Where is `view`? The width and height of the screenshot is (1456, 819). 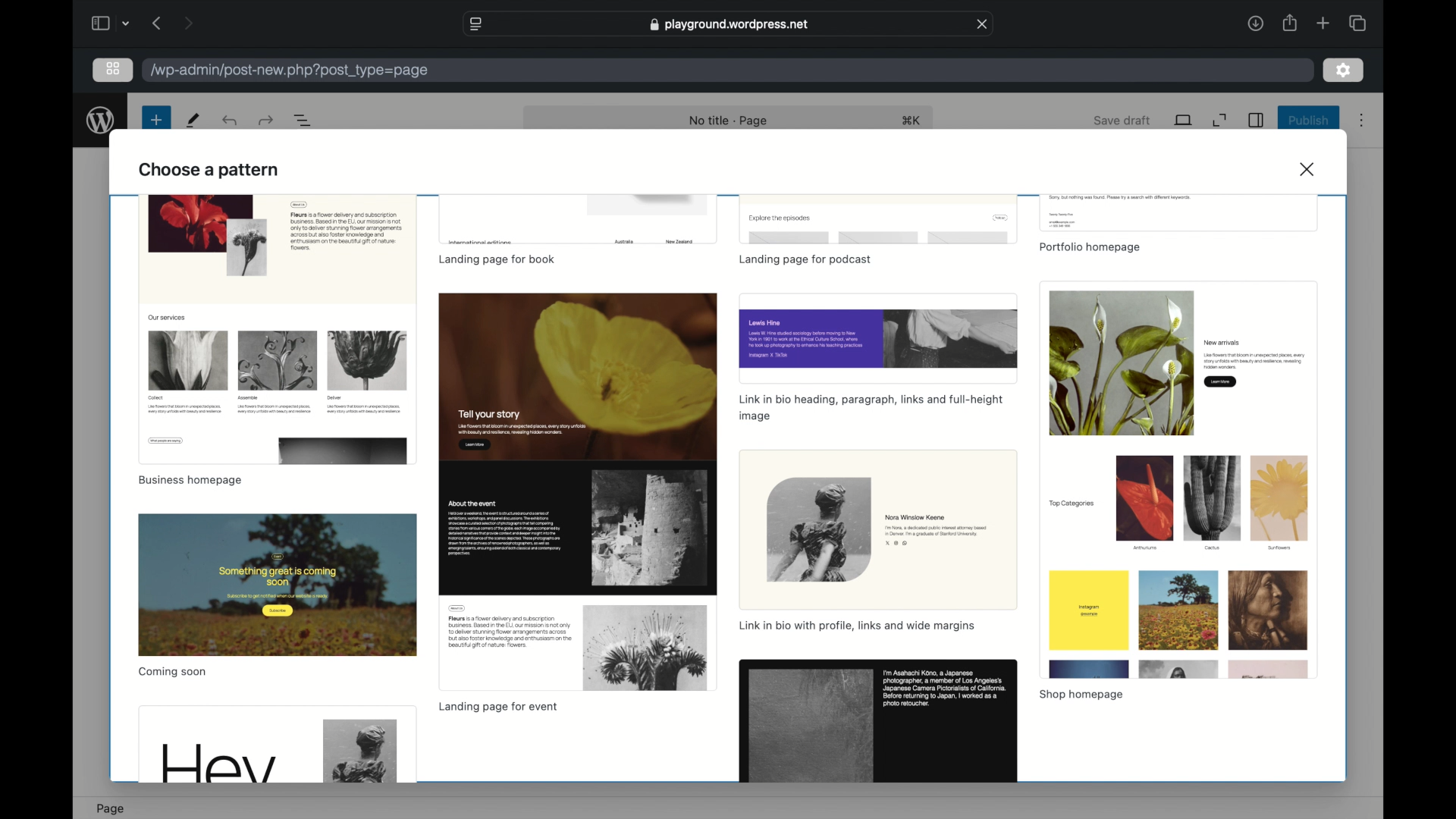
view is located at coordinates (1183, 121).